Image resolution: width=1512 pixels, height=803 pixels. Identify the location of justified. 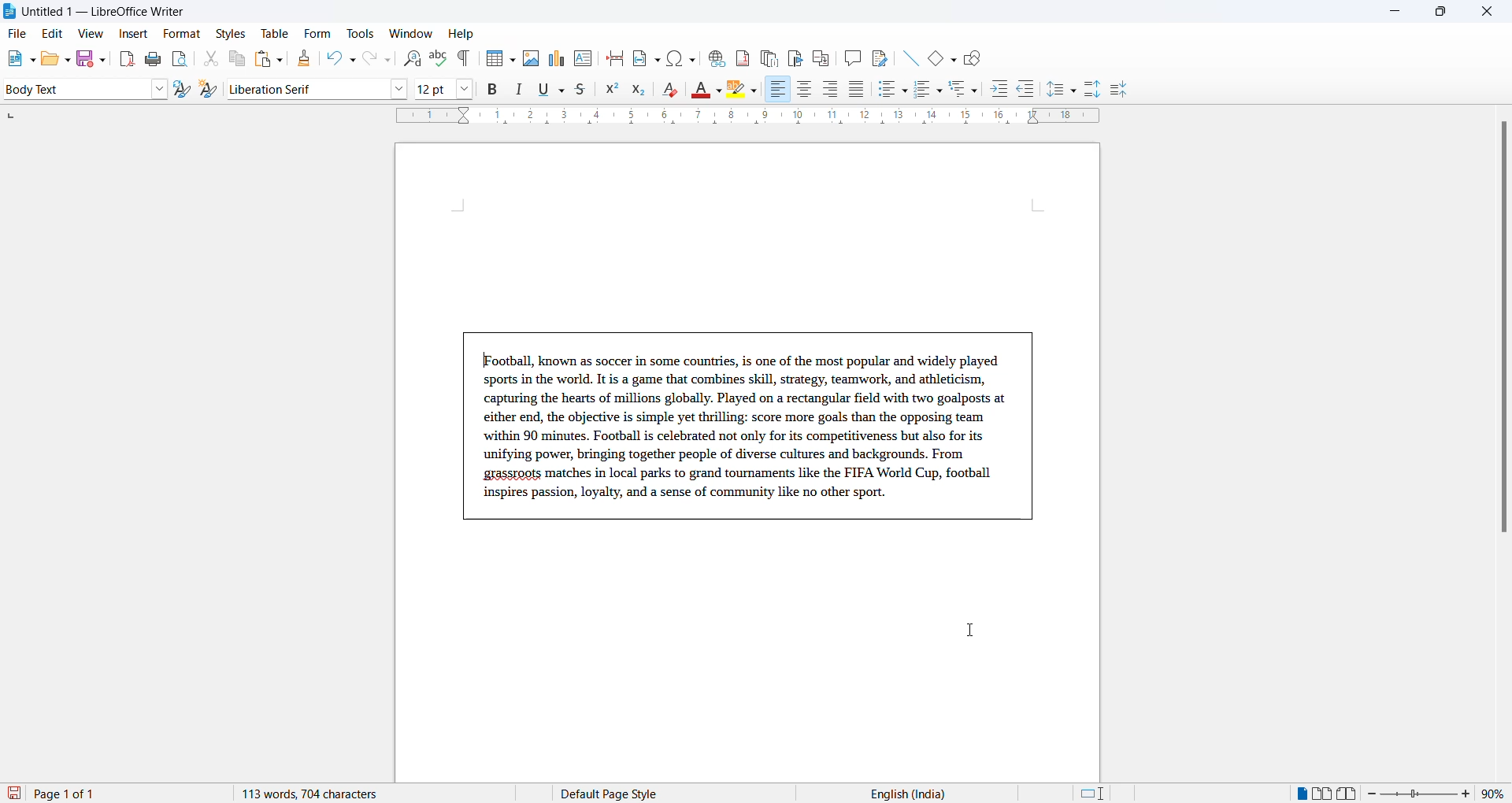
(858, 91).